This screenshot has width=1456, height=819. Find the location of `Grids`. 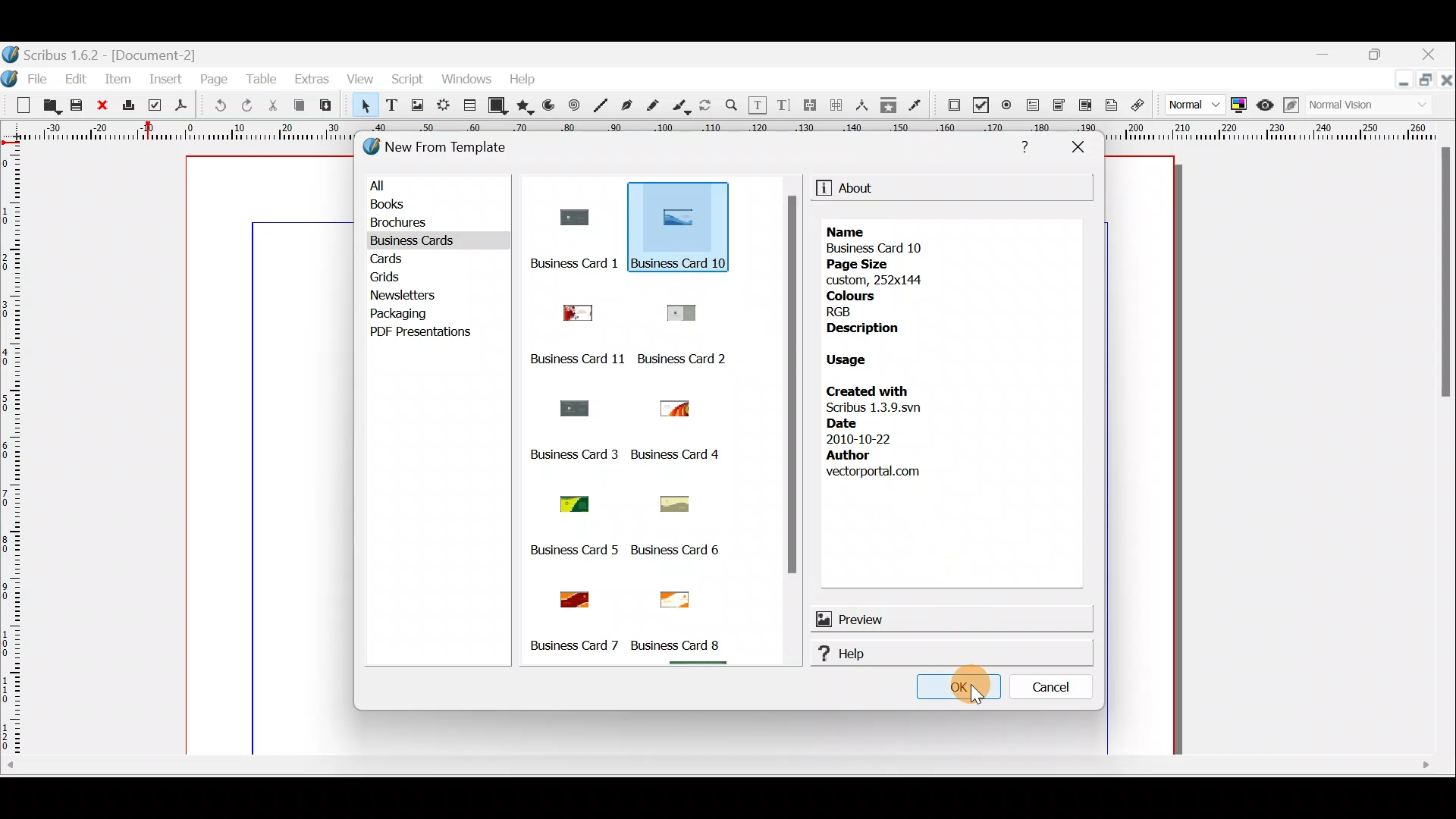

Grids is located at coordinates (401, 278).